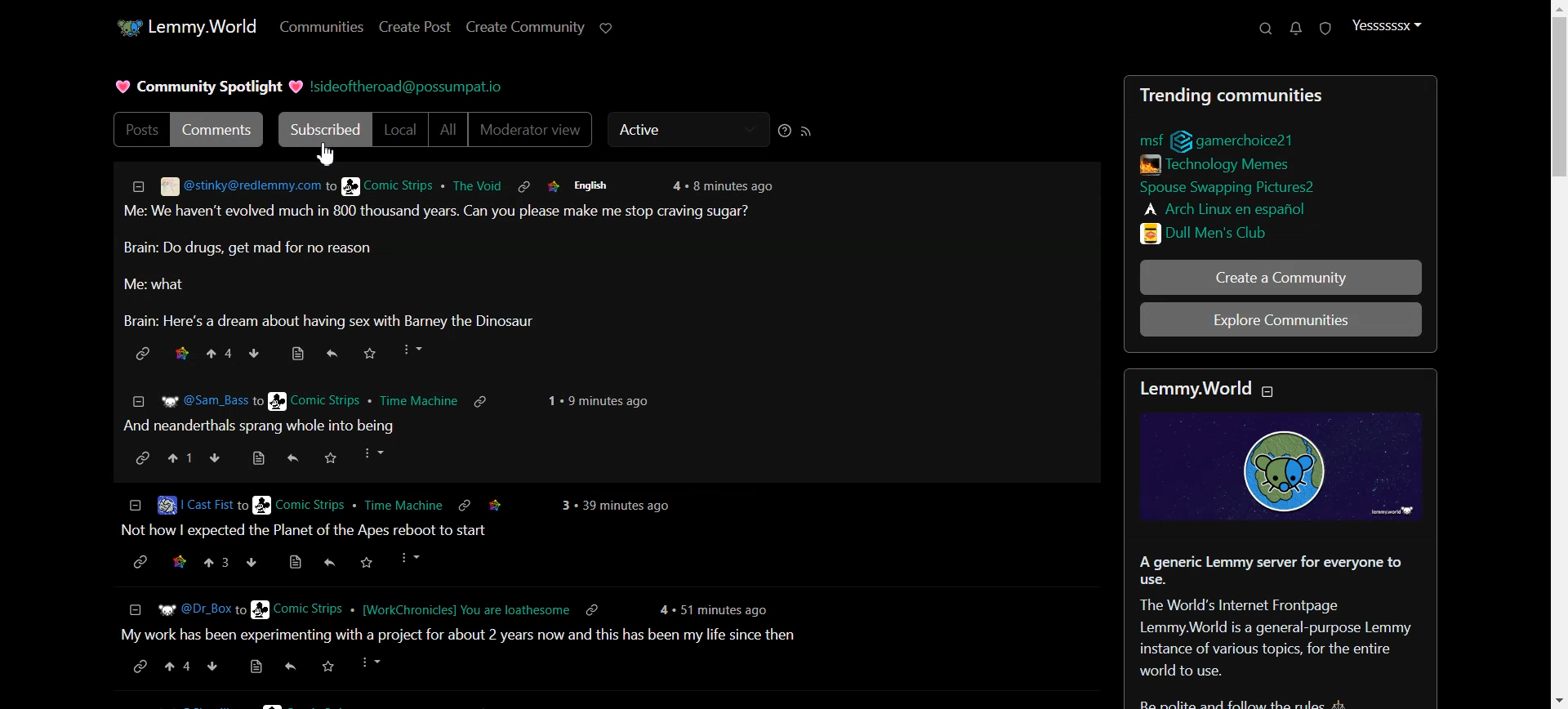 The image size is (1568, 709). Describe the element at coordinates (221, 351) in the screenshot. I see `upvote` at that location.